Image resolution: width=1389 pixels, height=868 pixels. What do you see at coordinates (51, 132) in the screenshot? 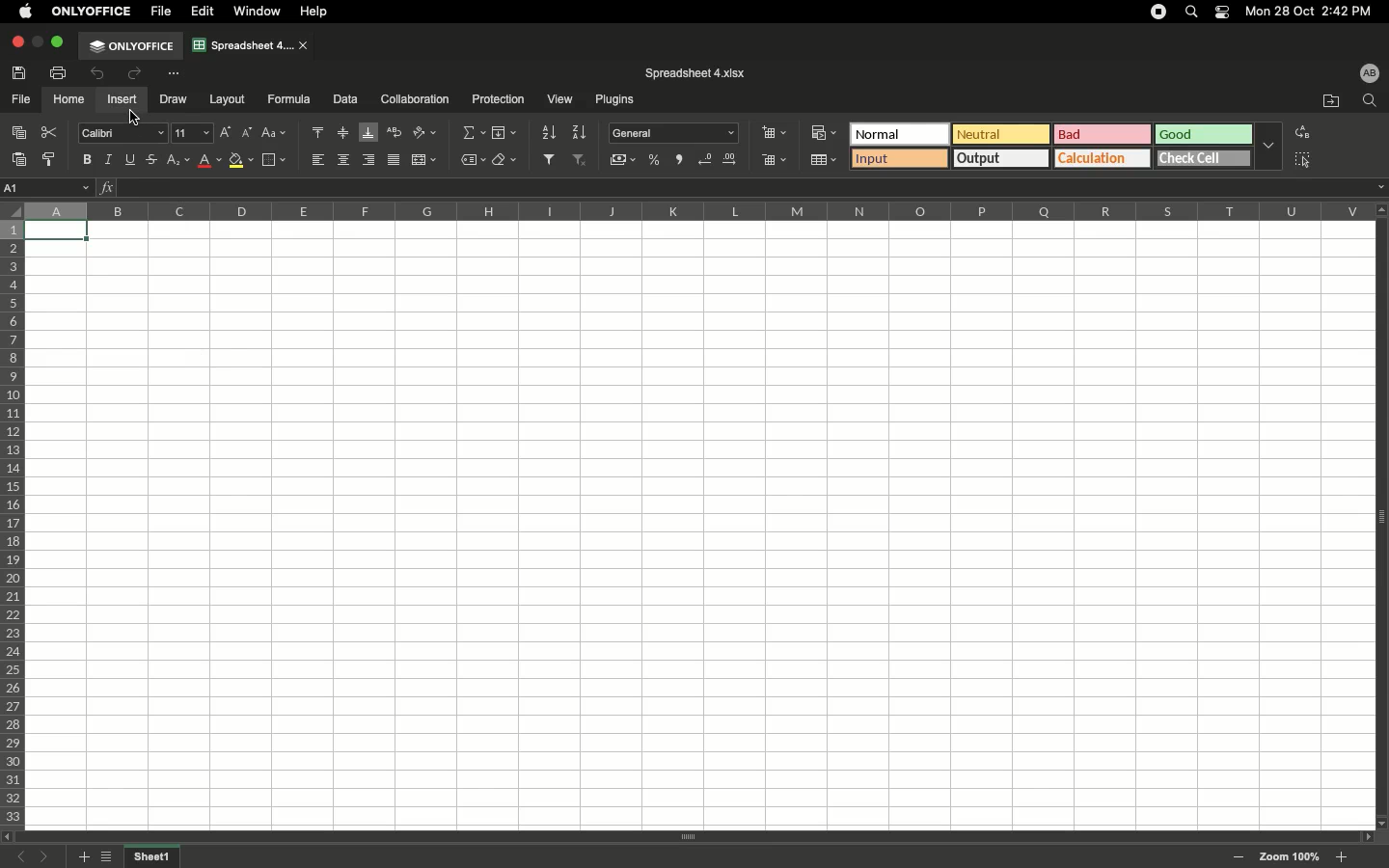
I see `Cut` at bounding box center [51, 132].